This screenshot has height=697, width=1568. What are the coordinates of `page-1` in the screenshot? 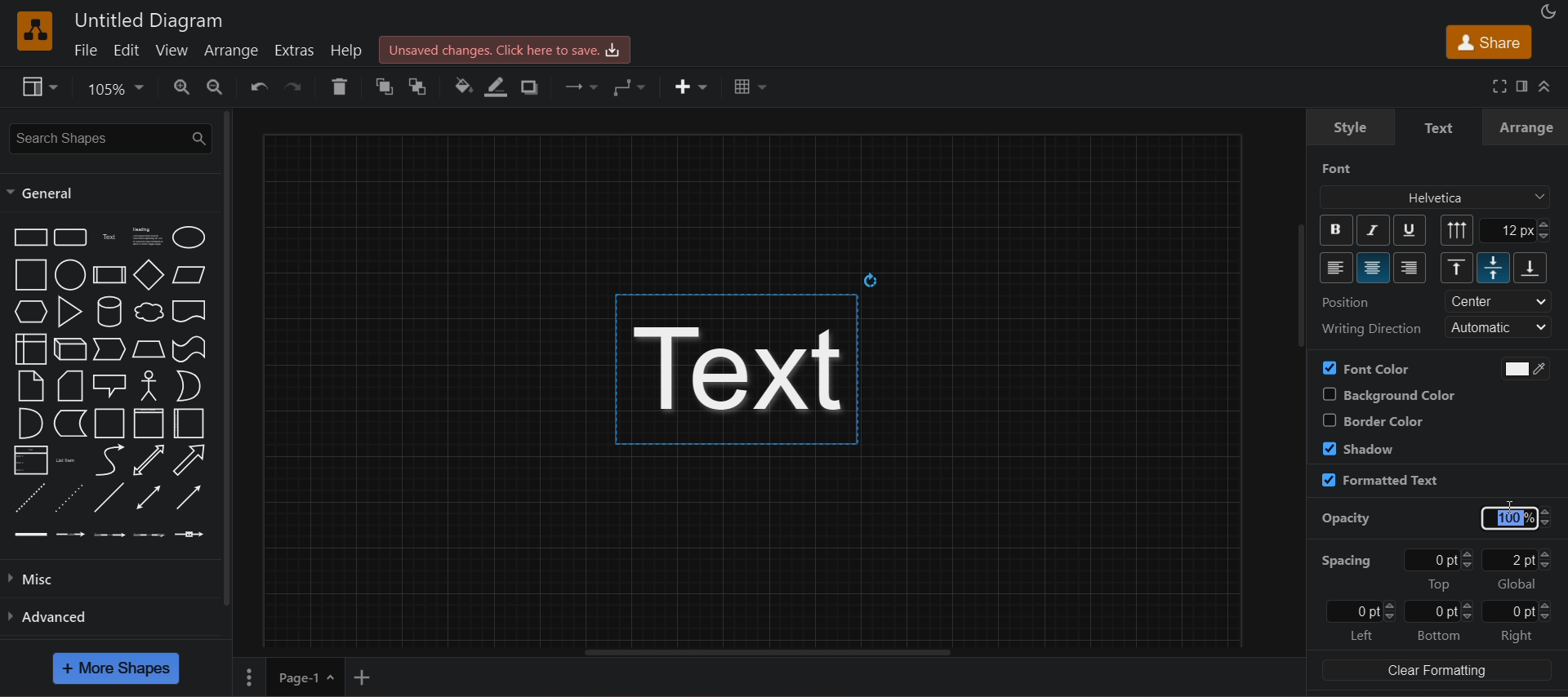 It's located at (304, 677).